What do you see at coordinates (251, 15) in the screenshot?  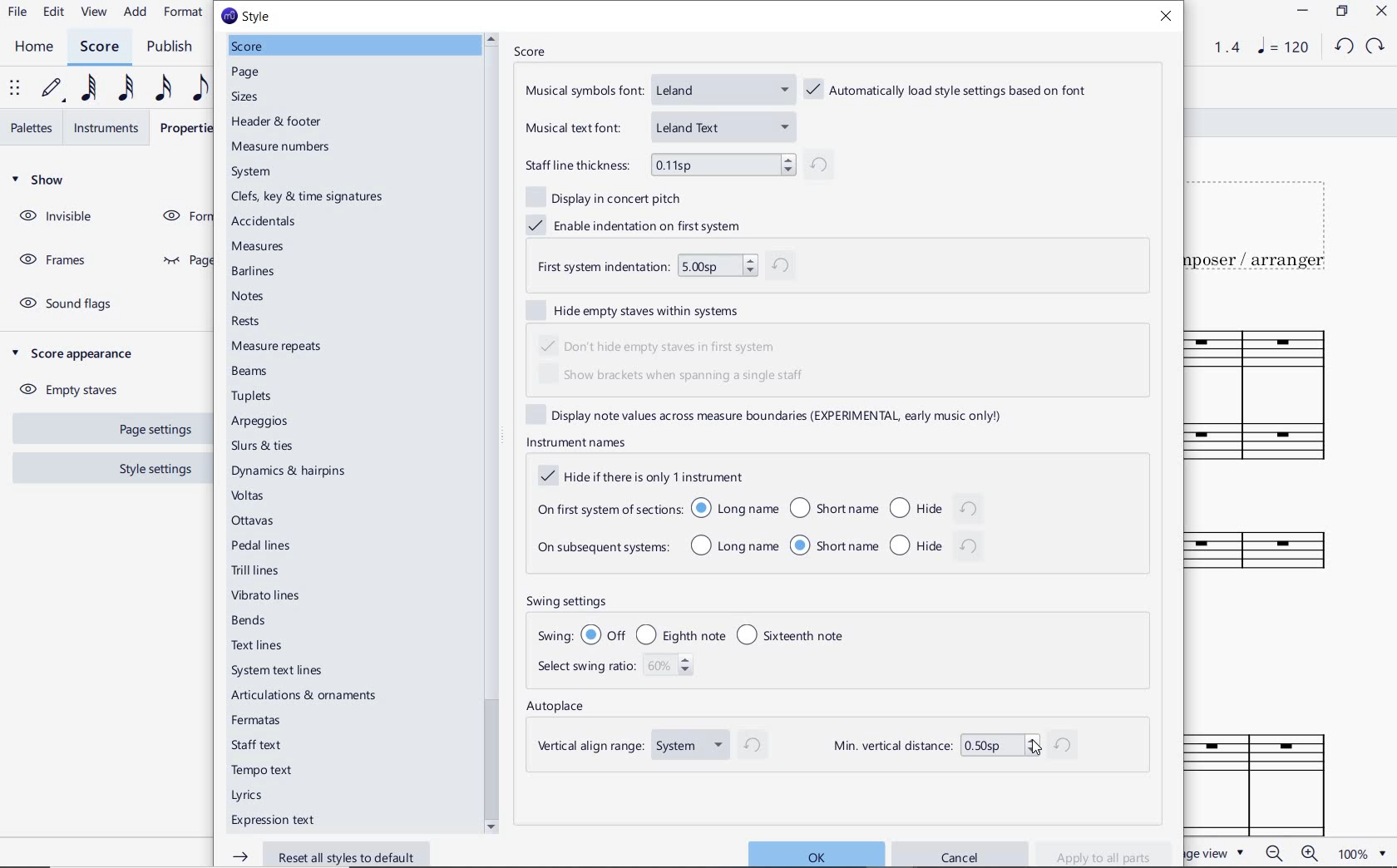 I see `style` at bounding box center [251, 15].